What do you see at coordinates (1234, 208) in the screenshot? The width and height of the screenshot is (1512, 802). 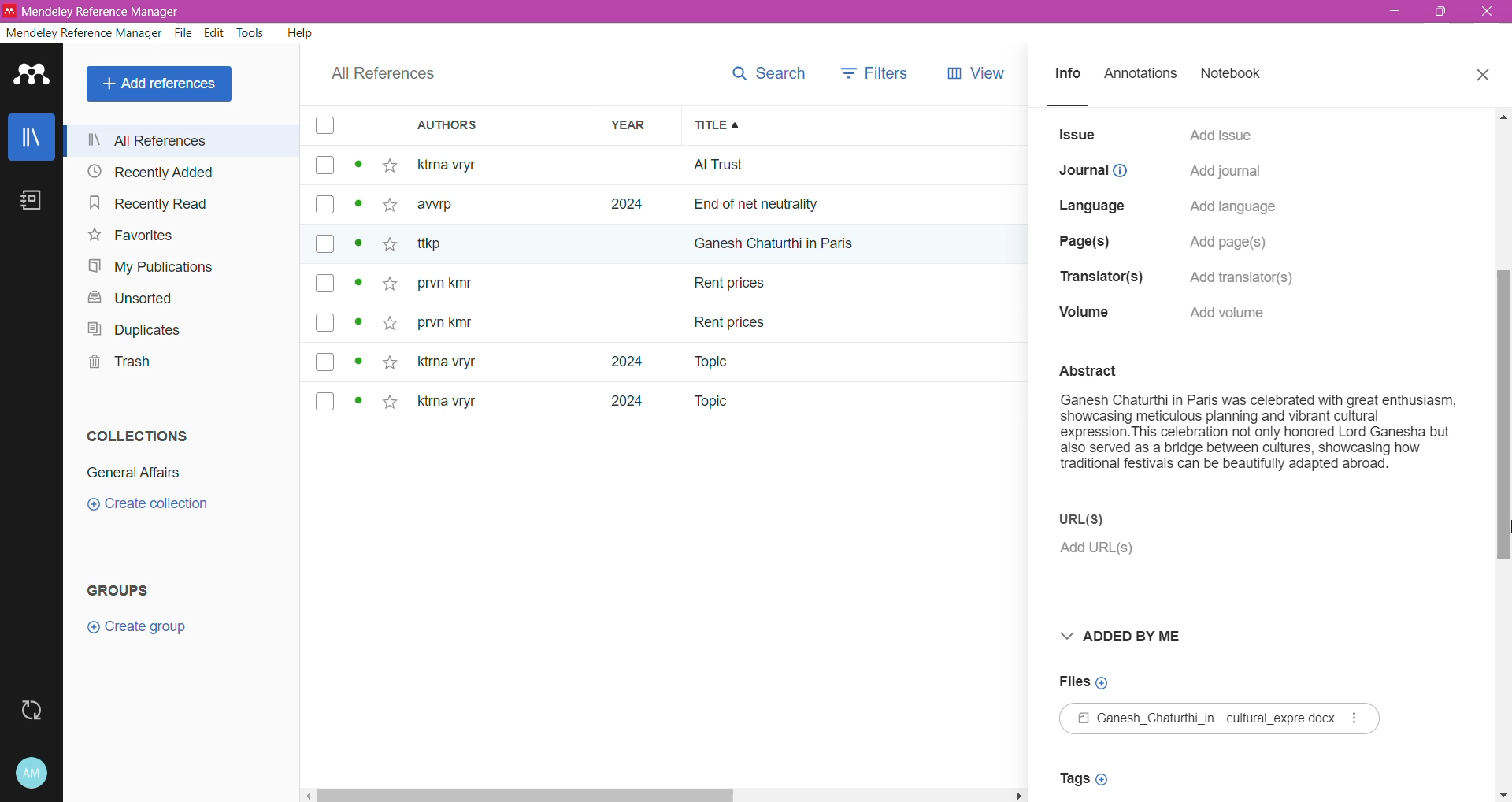 I see `Click to Add Language` at bounding box center [1234, 208].